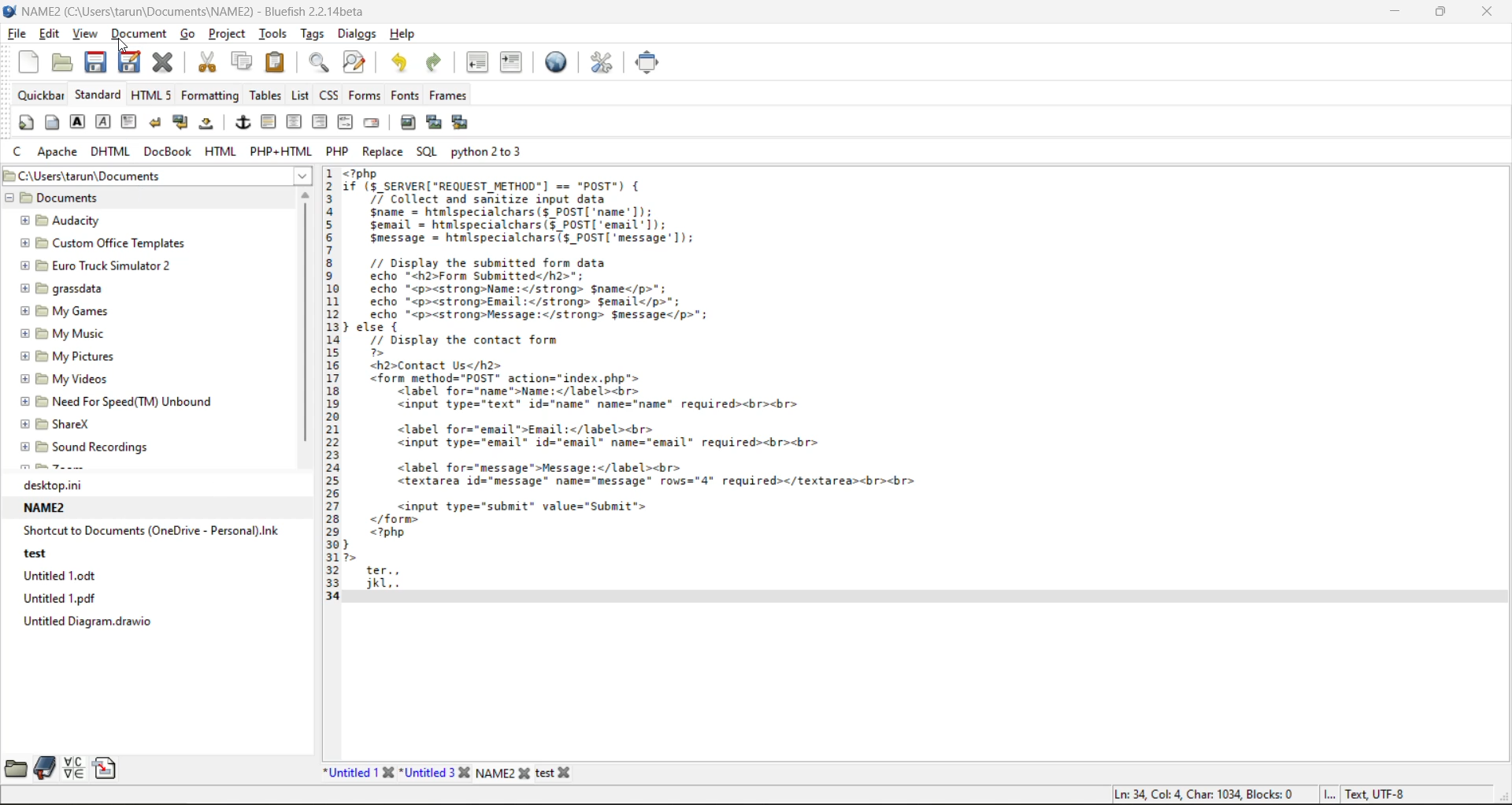 The image size is (1512, 805). I want to click on vertical scroll bar, so click(305, 323).